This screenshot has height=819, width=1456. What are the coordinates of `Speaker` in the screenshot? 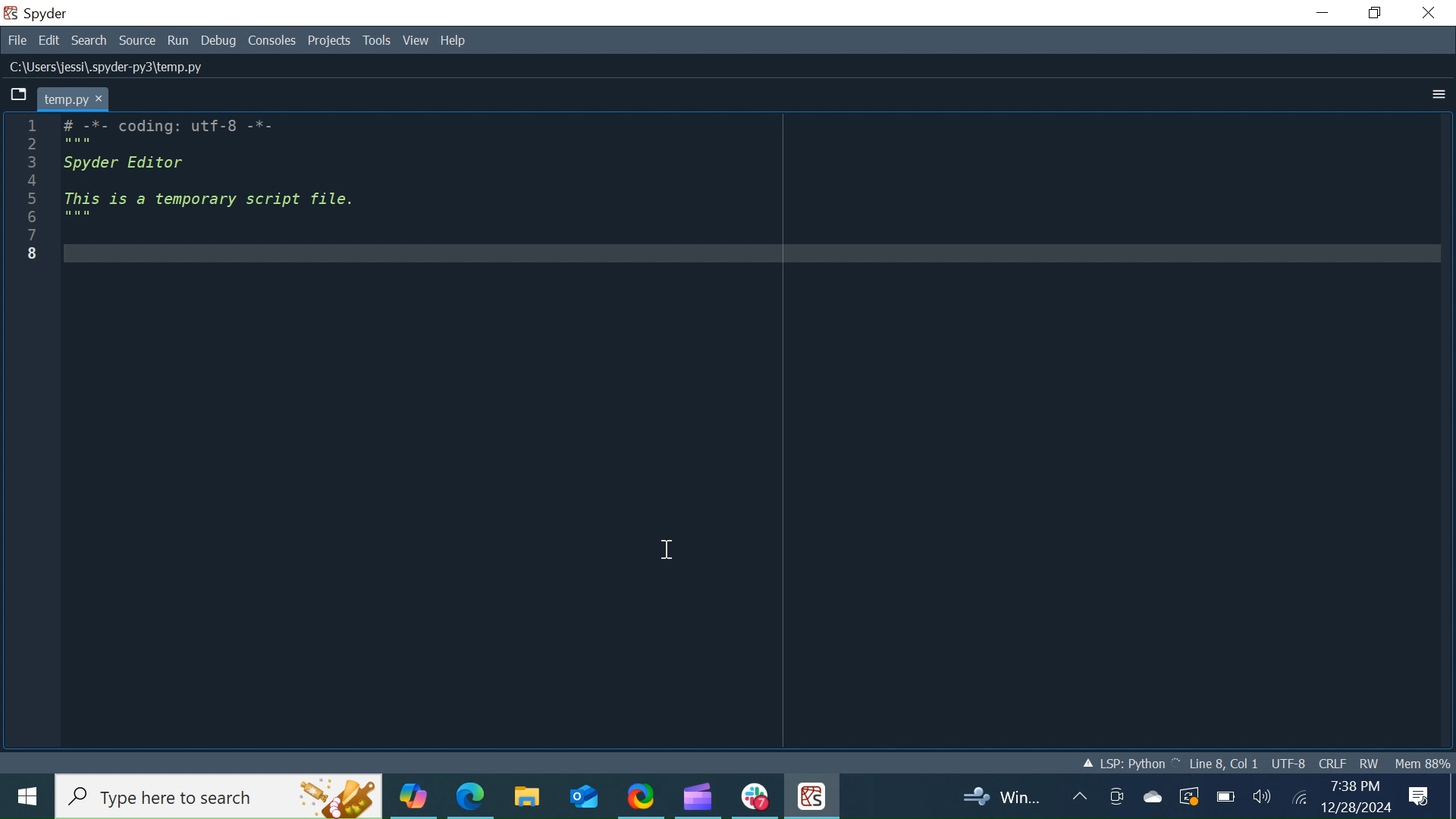 It's located at (1262, 799).